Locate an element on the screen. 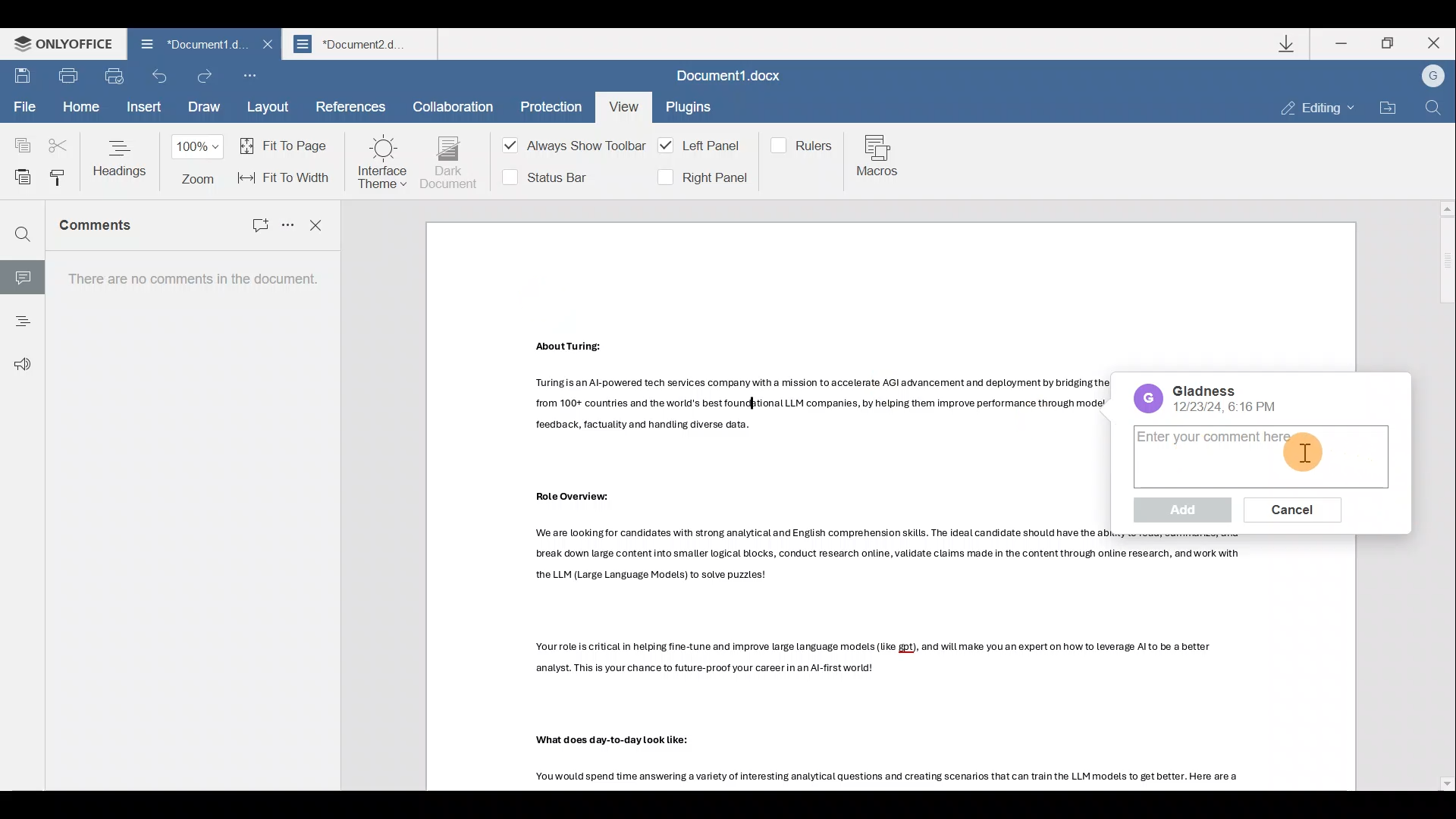  Downloads is located at coordinates (1288, 43).